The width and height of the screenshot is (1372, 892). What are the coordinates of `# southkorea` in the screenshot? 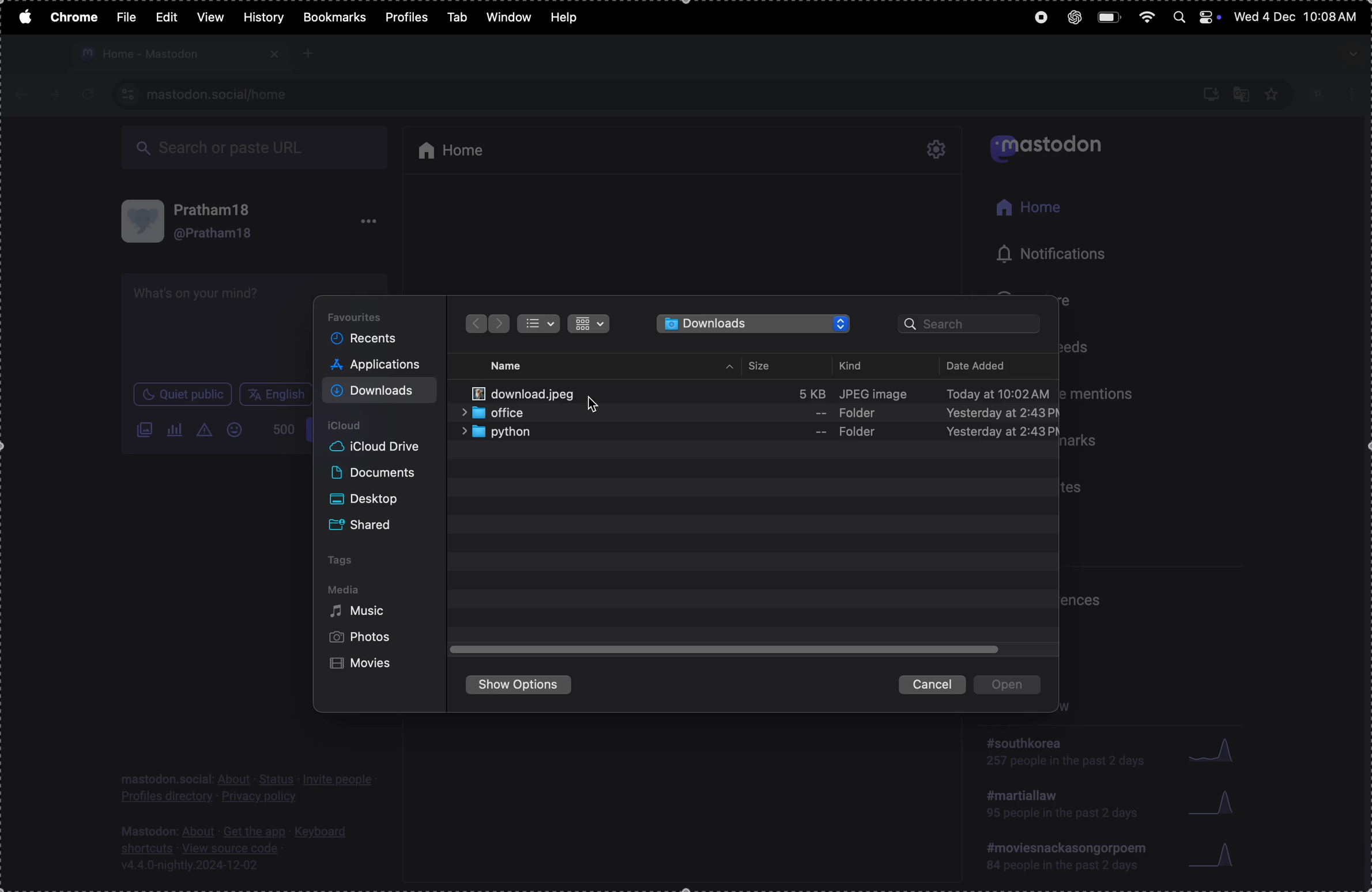 It's located at (1064, 756).